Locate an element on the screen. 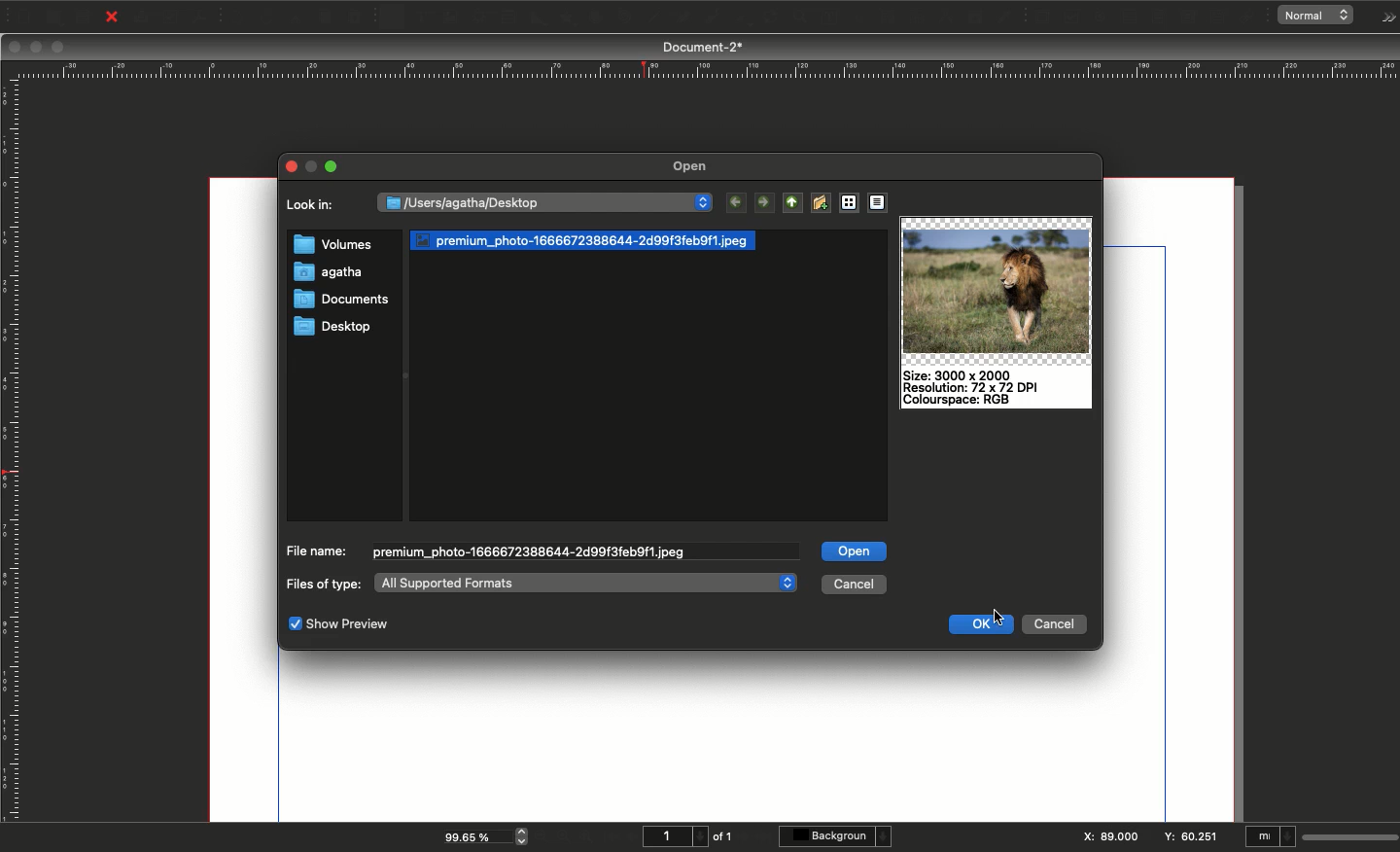 The height and width of the screenshot is (852, 1400). Save as PDF is located at coordinates (202, 17).